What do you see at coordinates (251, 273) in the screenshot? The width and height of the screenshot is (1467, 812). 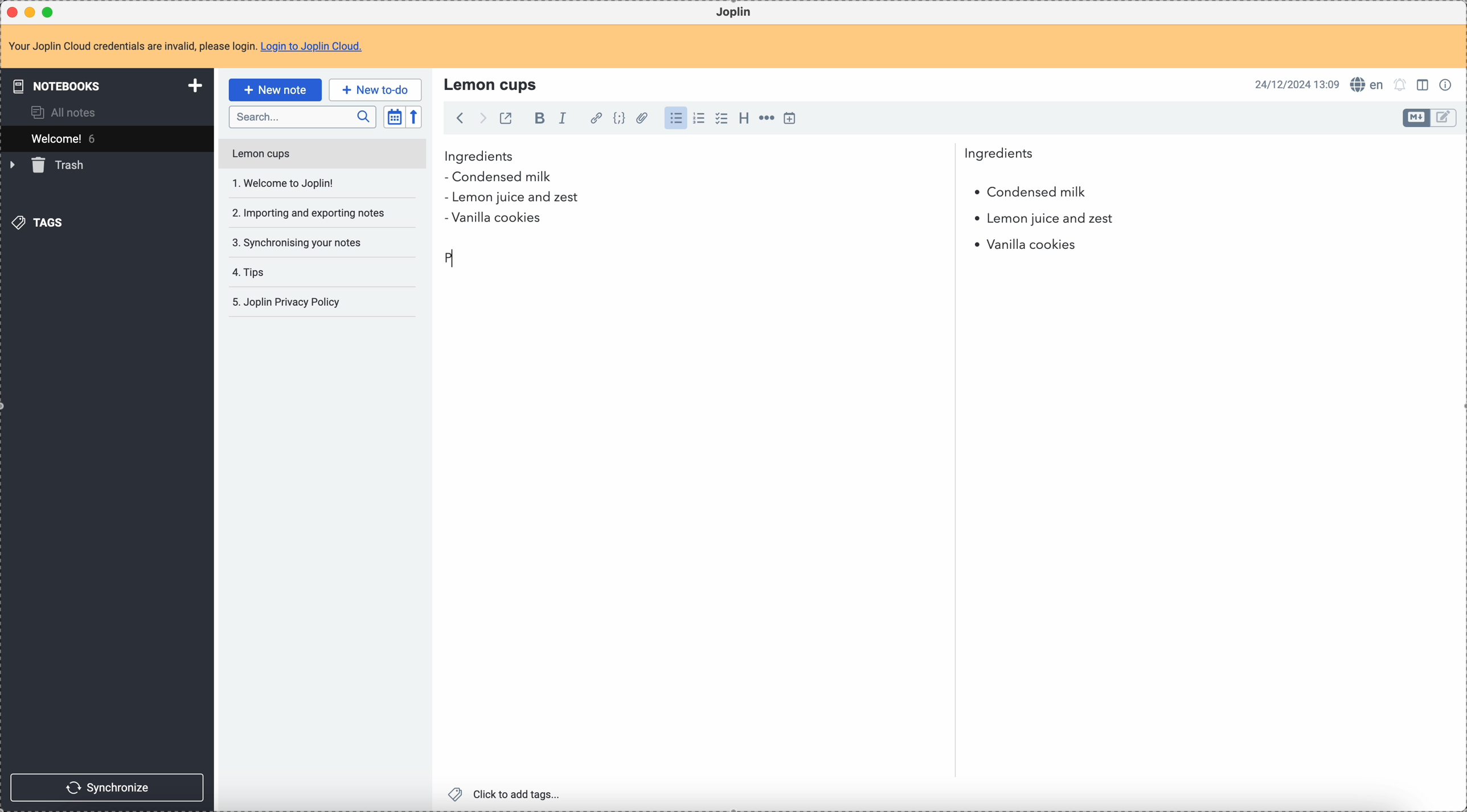 I see `tips` at bounding box center [251, 273].